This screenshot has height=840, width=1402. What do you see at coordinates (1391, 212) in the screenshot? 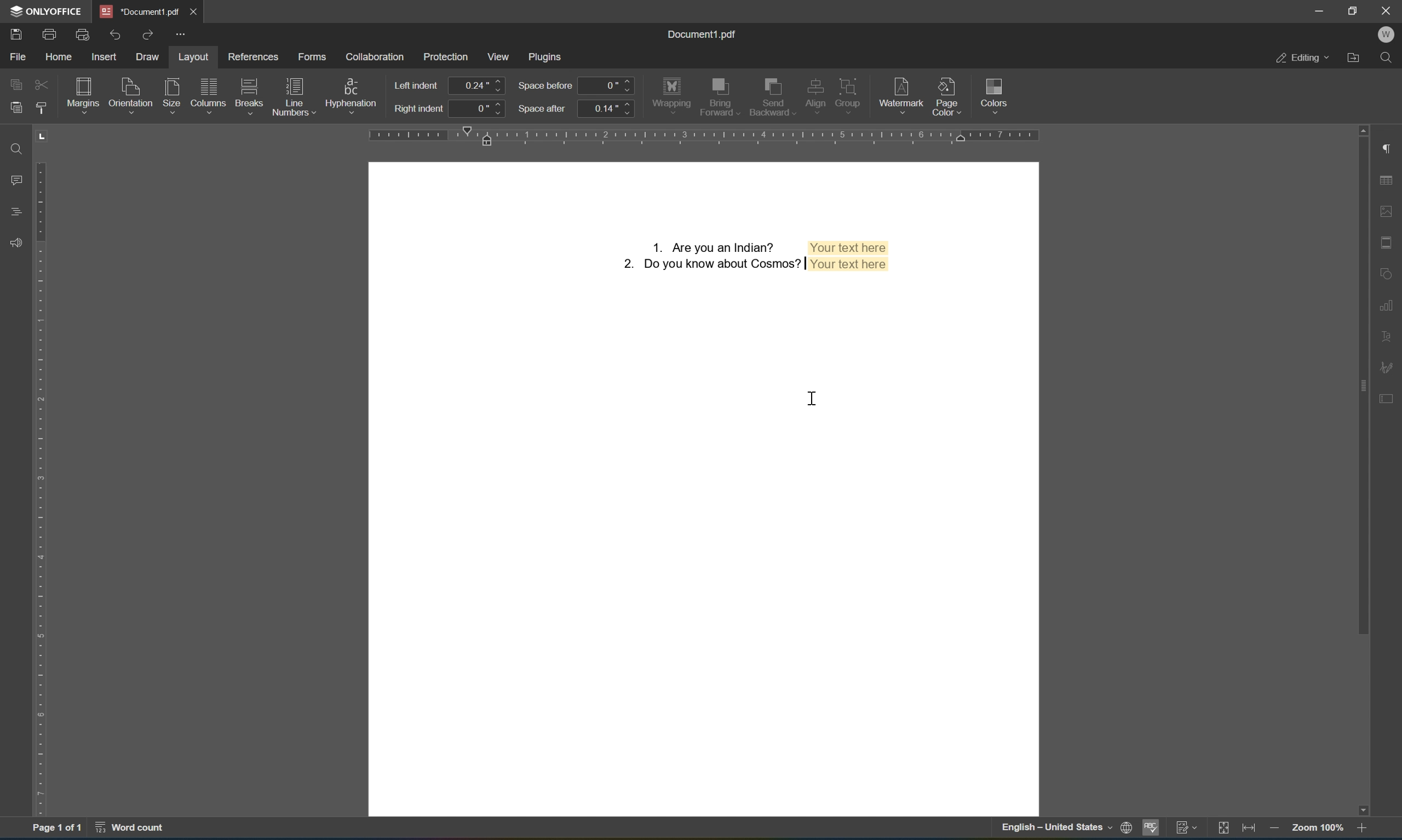
I see `image settings` at bounding box center [1391, 212].